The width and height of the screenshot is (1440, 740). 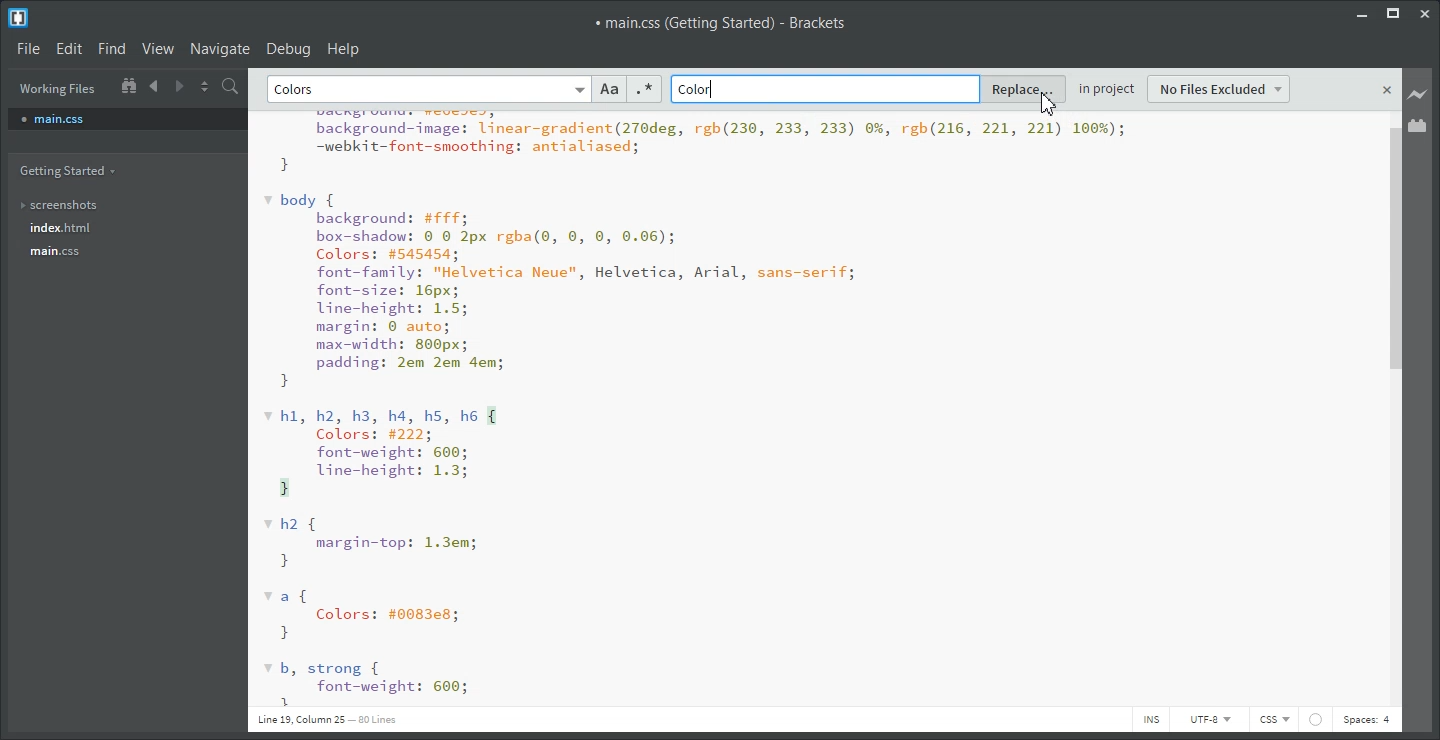 What do you see at coordinates (27, 47) in the screenshot?
I see `File` at bounding box center [27, 47].